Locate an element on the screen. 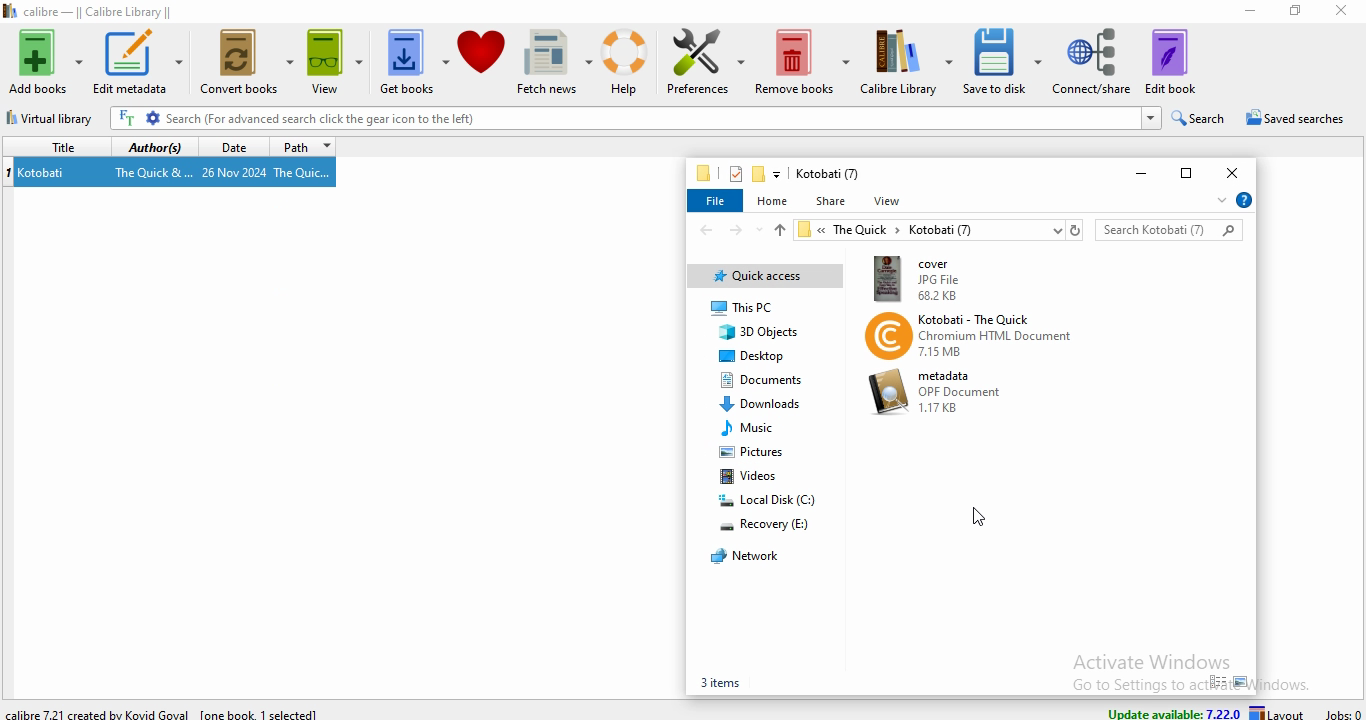 The width and height of the screenshot is (1366, 720). cover(book files) is located at coordinates (972, 277).